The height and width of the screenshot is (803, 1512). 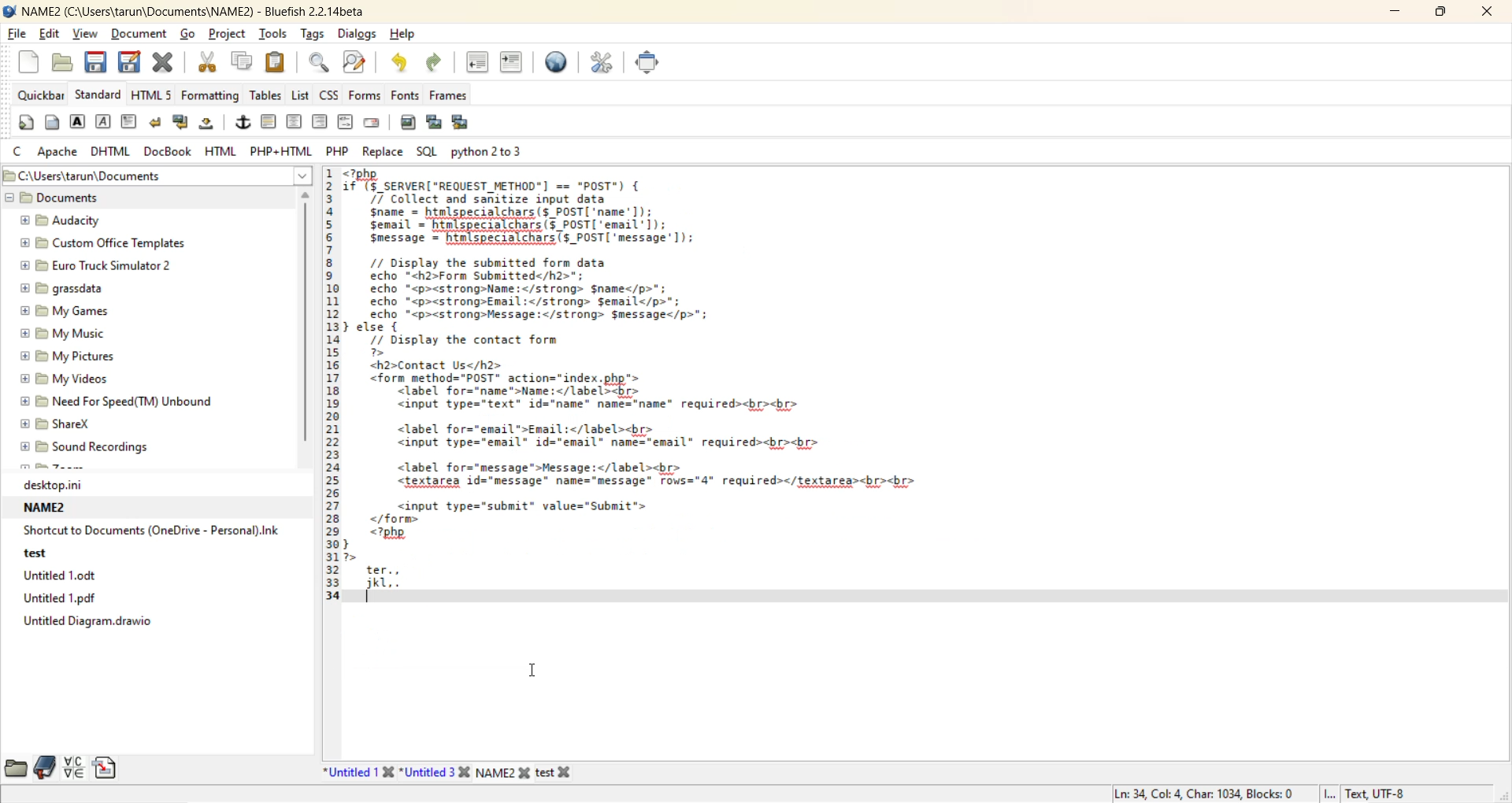 What do you see at coordinates (210, 63) in the screenshot?
I see `cut` at bounding box center [210, 63].